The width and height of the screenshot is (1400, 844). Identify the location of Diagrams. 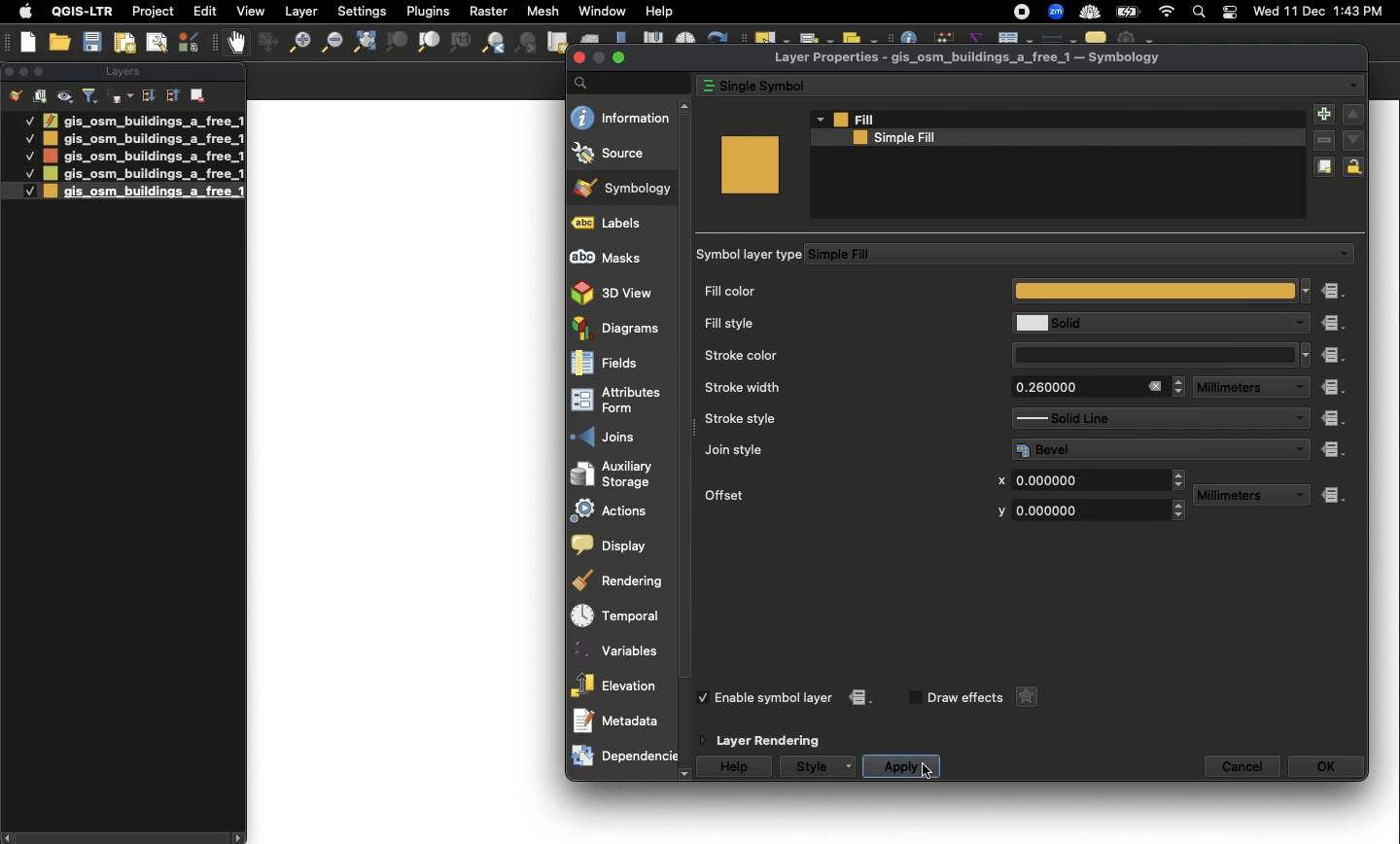
(621, 328).